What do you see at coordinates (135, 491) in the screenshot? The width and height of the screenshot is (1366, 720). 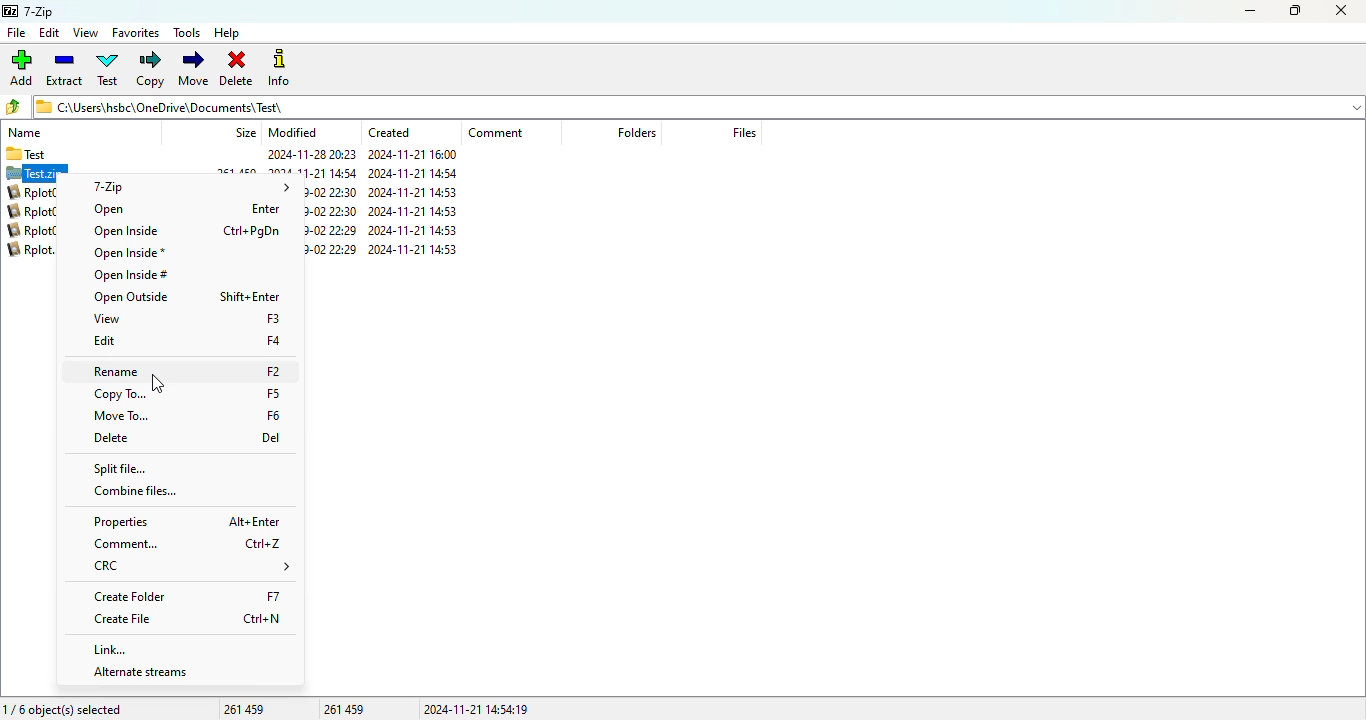 I see `combine files` at bounding box center [135, 491].